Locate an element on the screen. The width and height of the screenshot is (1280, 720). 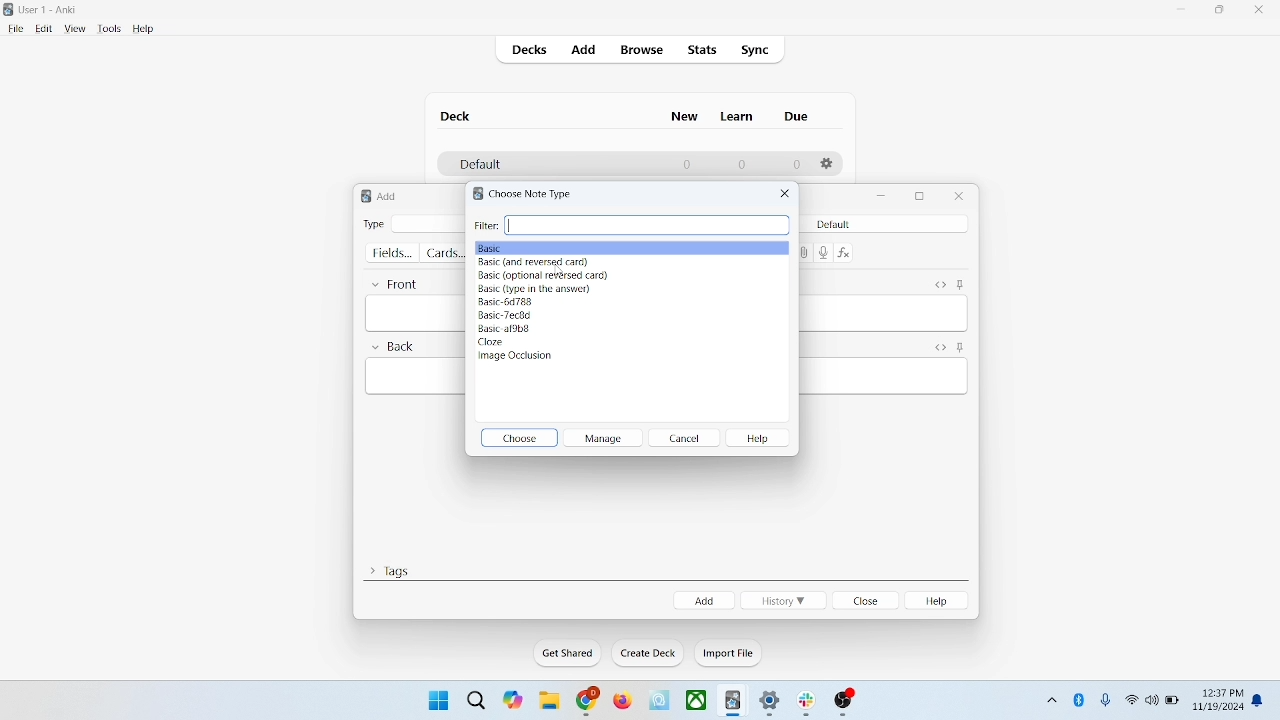
folder is located at coordinates (548, 702).